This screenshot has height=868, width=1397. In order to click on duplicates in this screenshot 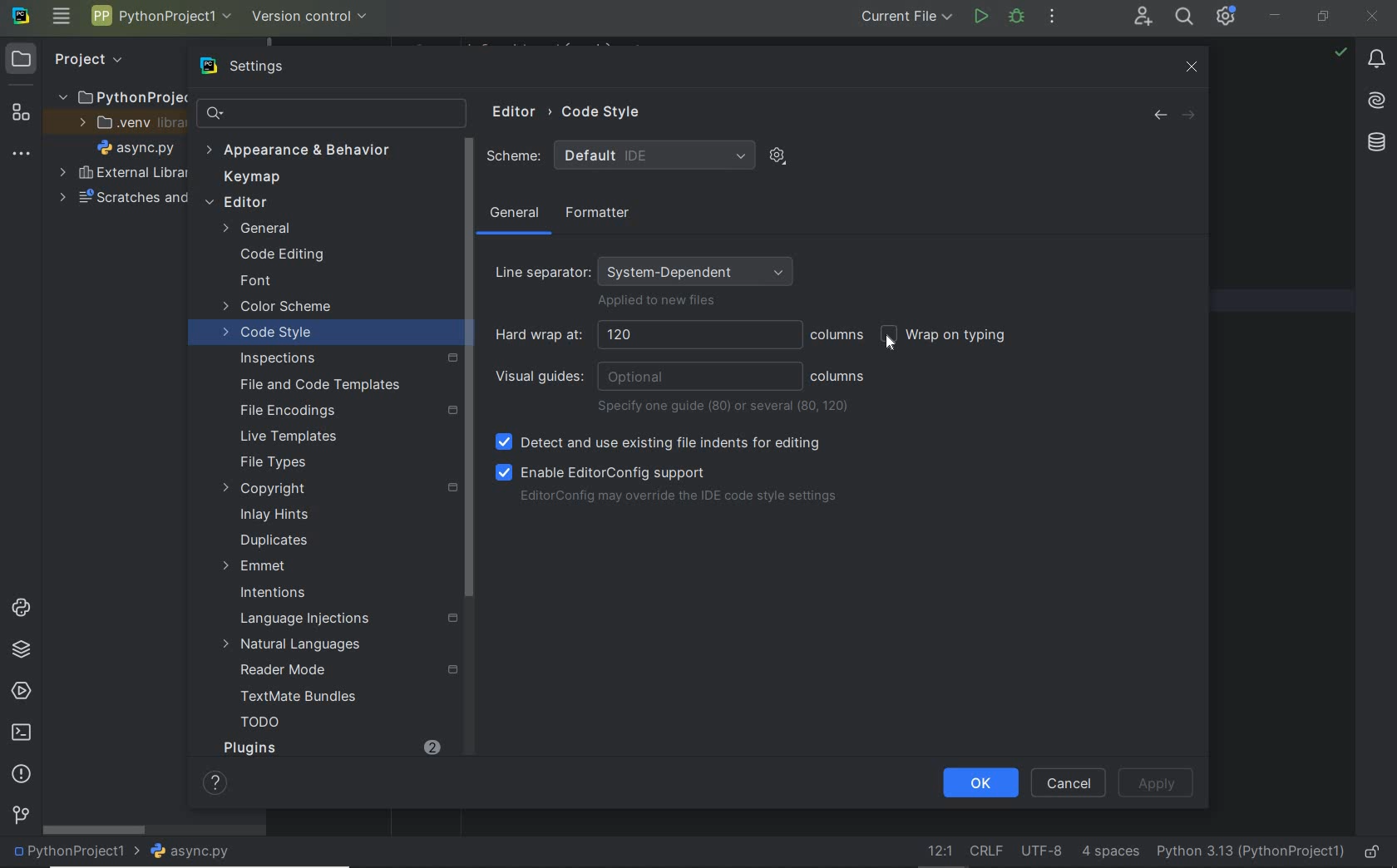, I will do `click(275, 540)`.